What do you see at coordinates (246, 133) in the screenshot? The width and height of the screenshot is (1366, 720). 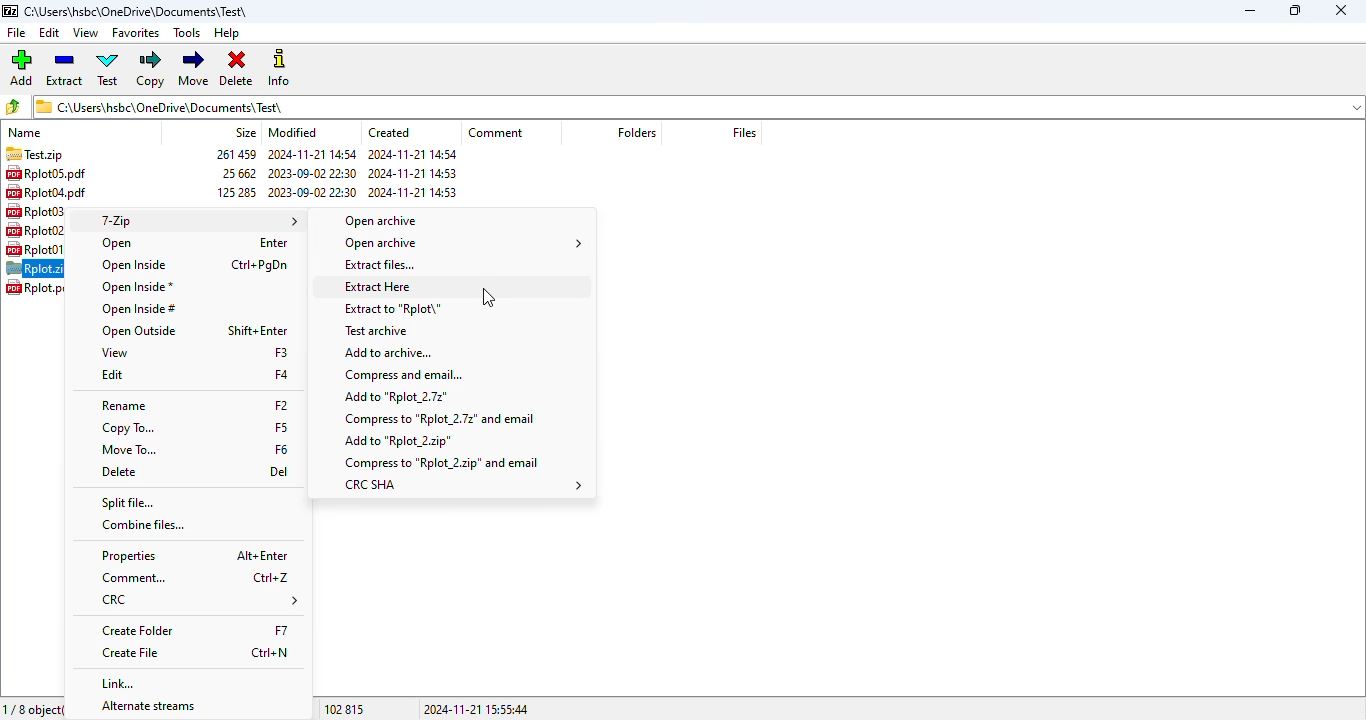 I see `size` at bounding box center [246, 133].